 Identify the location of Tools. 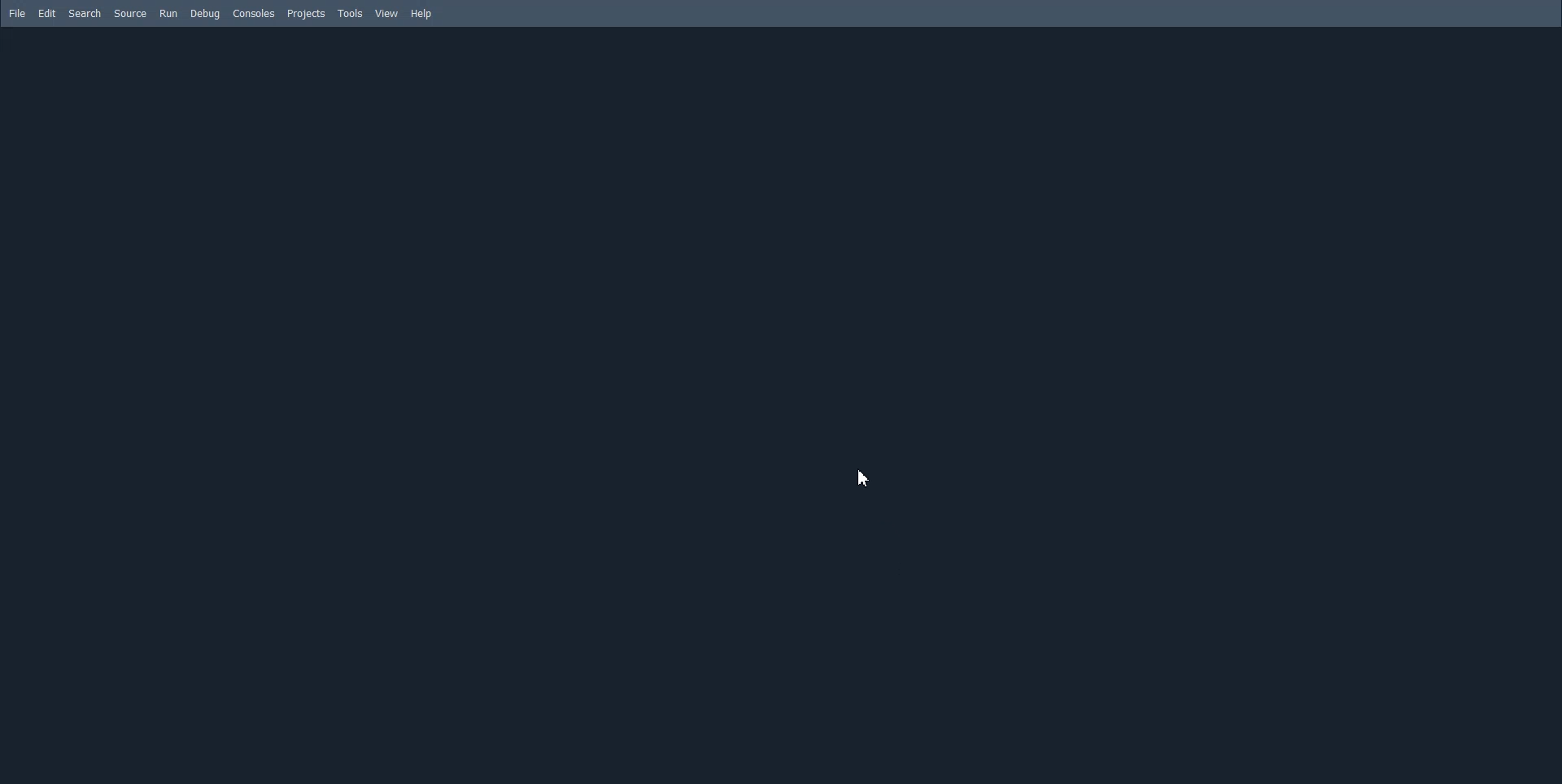
(351, 13).